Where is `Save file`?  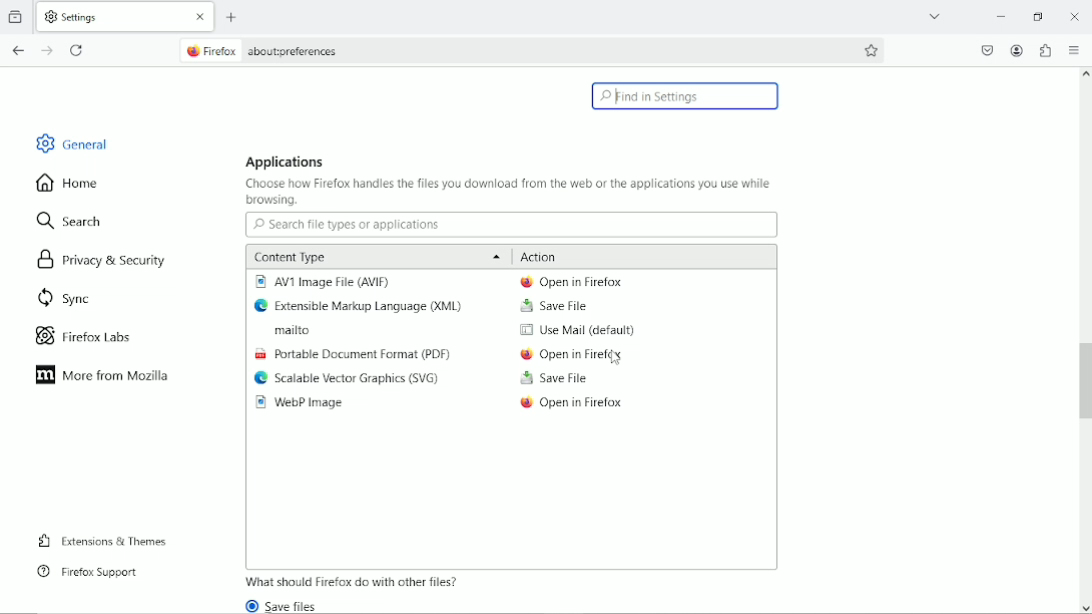
Save file is located at coordinates (554, 379).